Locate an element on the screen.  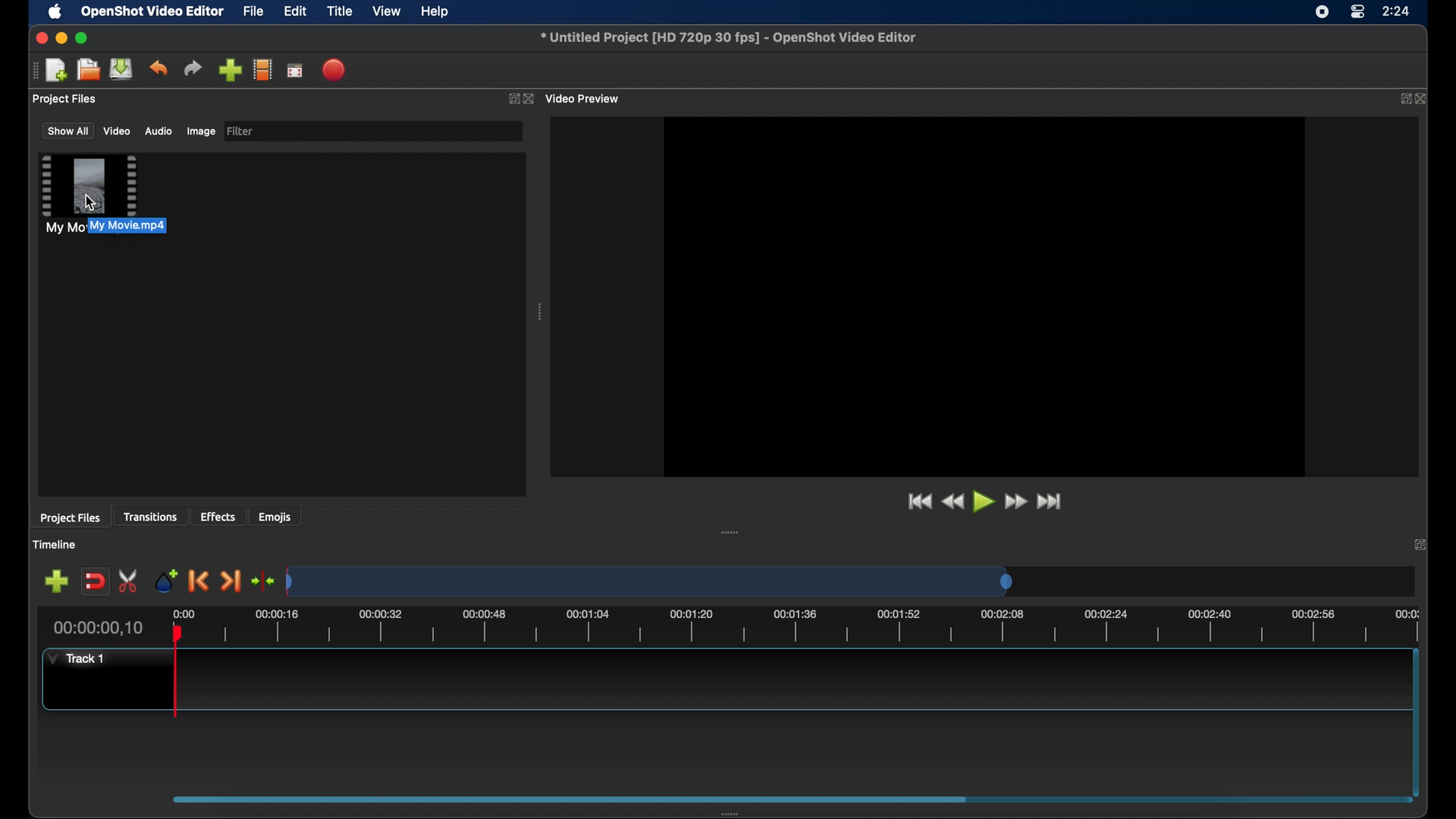
filter is located at coordinates (244, 131).